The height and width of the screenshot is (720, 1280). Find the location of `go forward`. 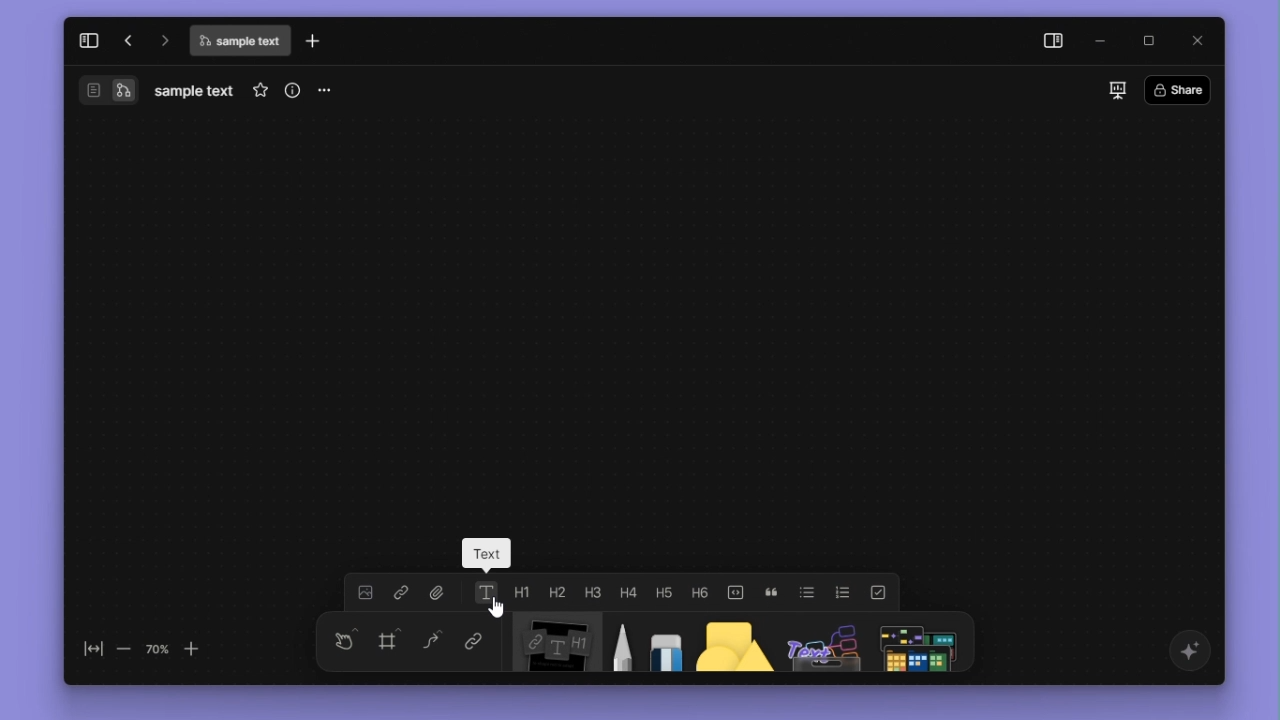

go forward is located at coordinates (162, 39).